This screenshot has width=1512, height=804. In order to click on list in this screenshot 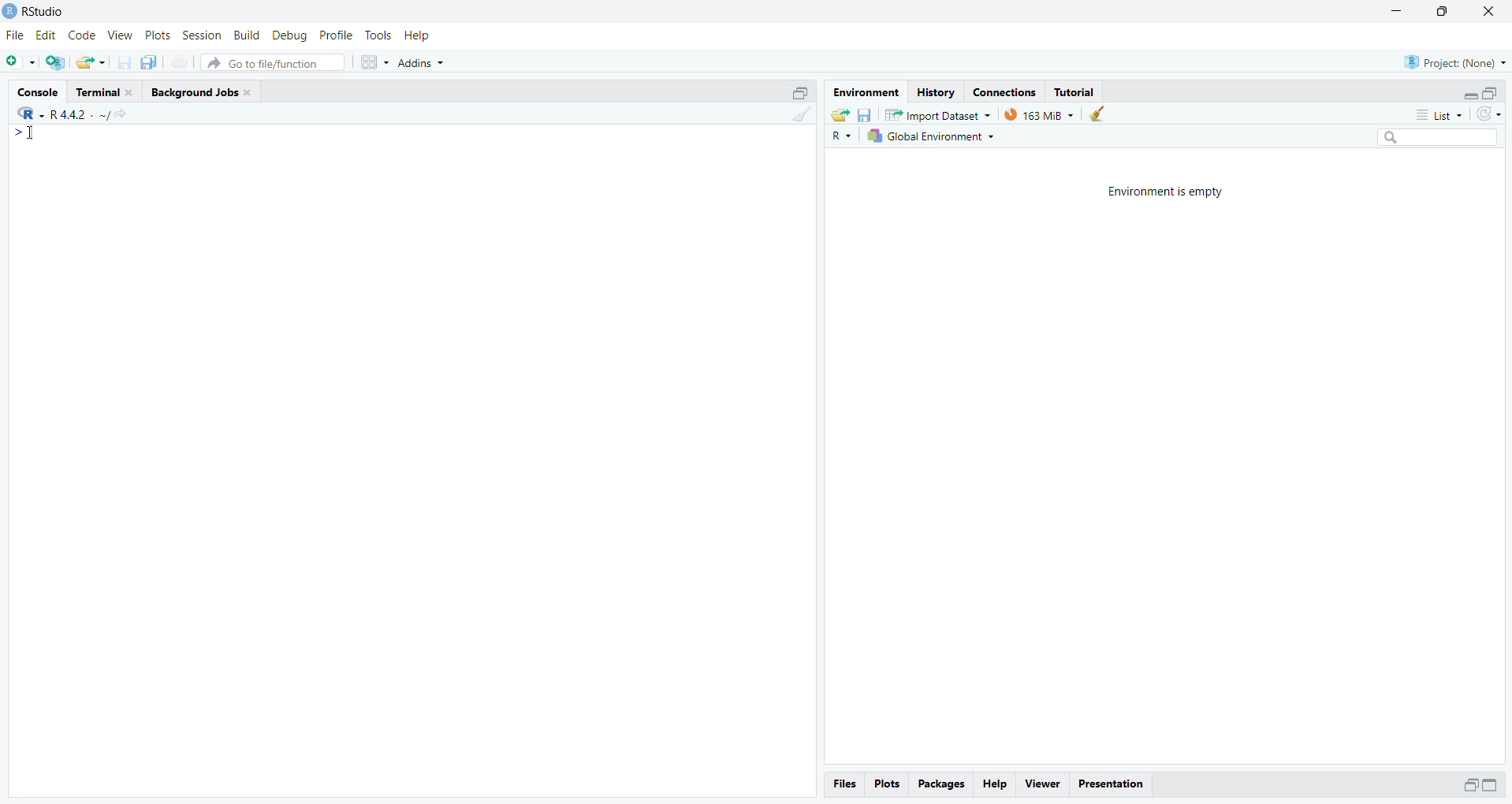, I will do `click(1442, 115)`.